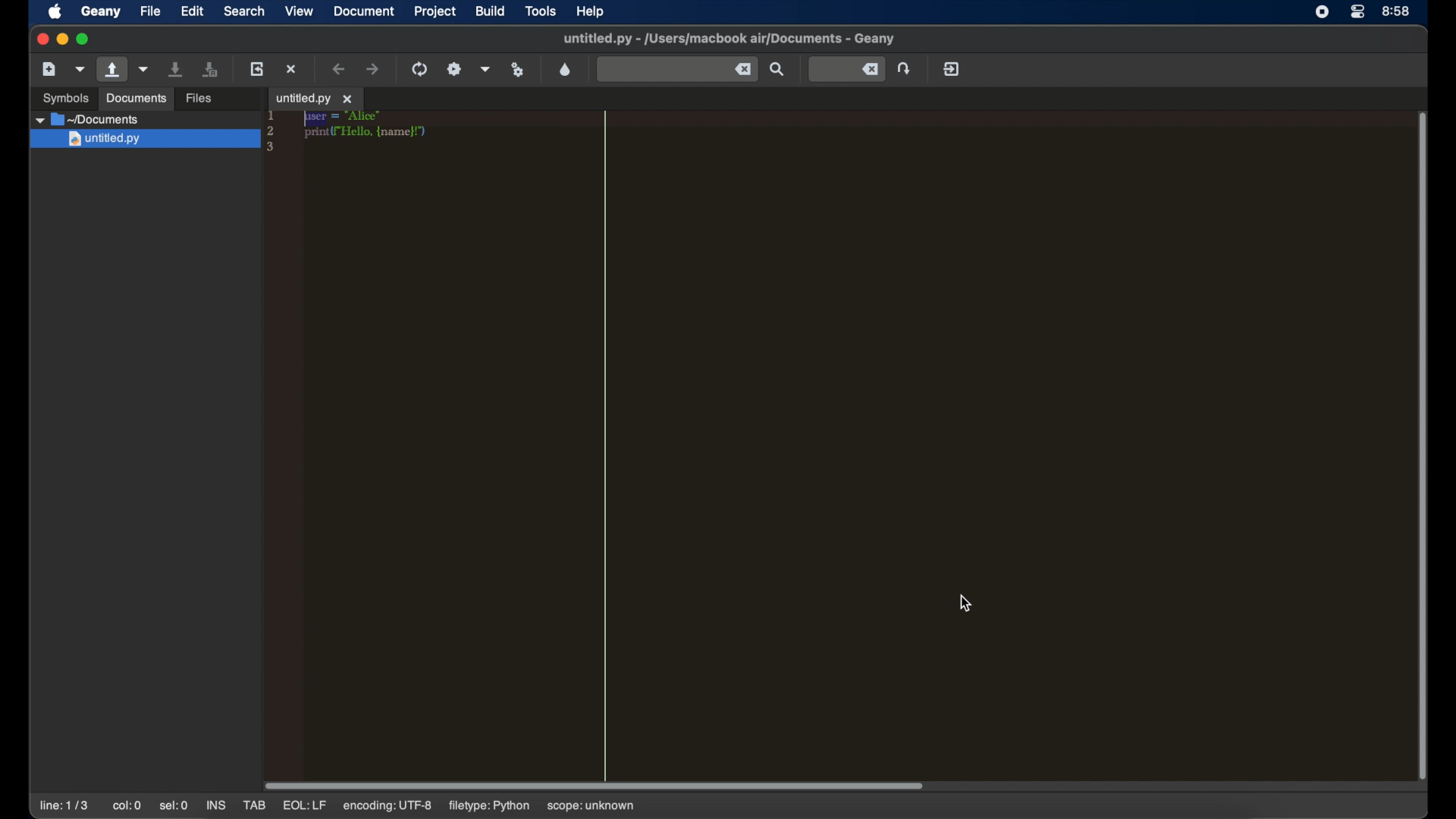 This screenshot has height=819, width=1456. I want to click on documents, so click(88, 120).